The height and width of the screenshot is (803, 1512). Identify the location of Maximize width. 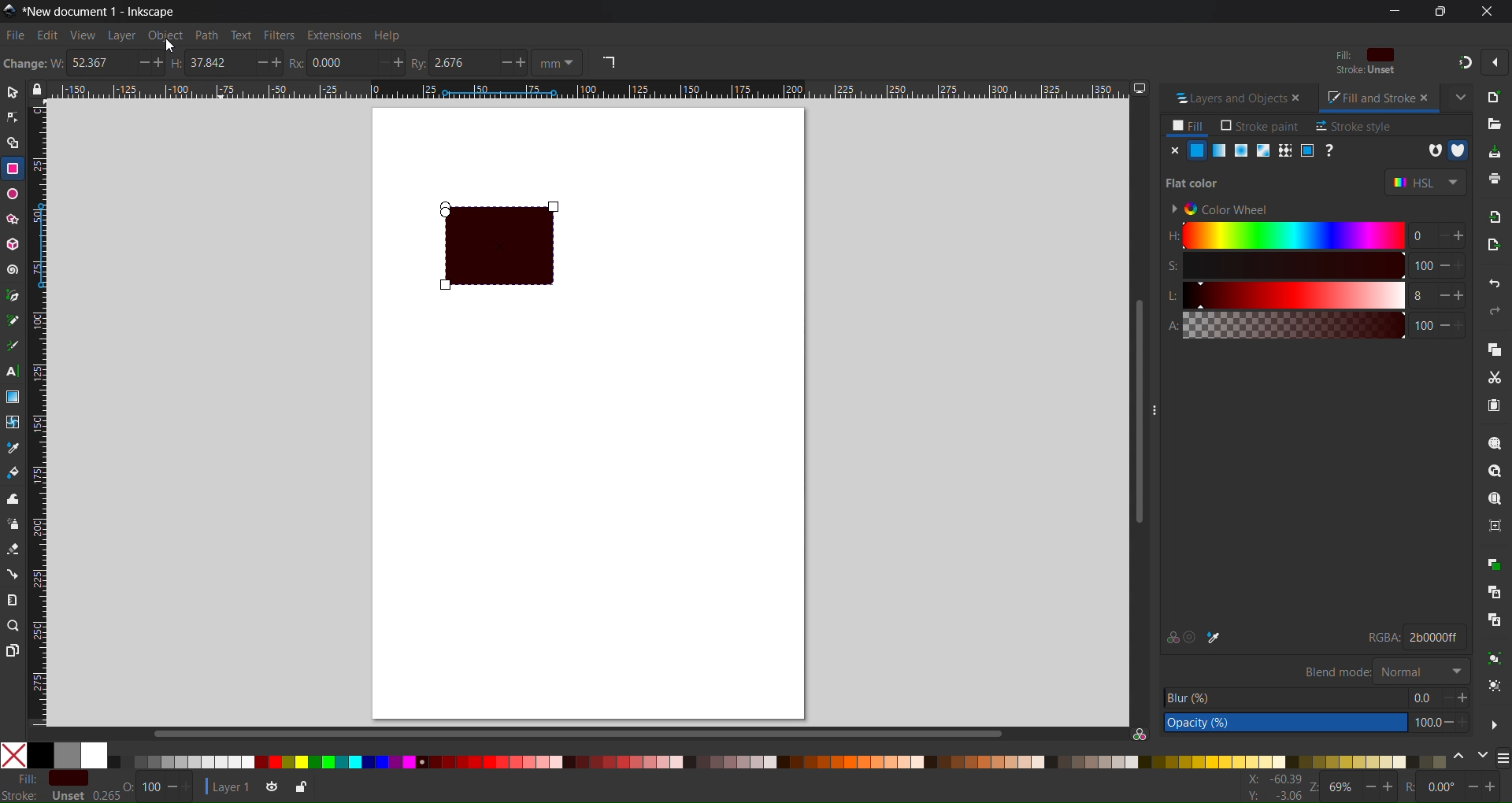
(161, 64).